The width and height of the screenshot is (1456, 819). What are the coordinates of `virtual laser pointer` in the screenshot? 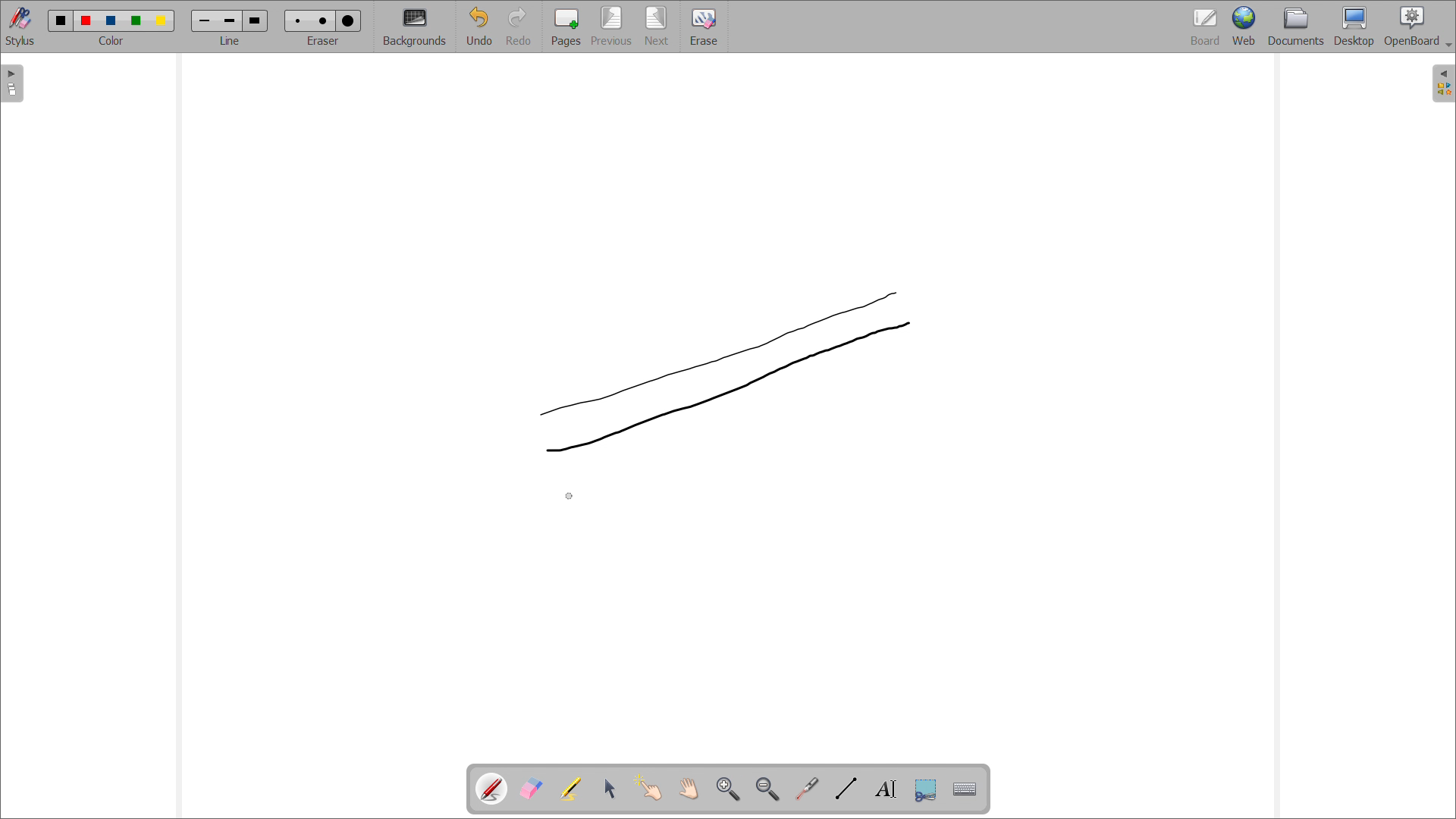 It's located at (808, 787).